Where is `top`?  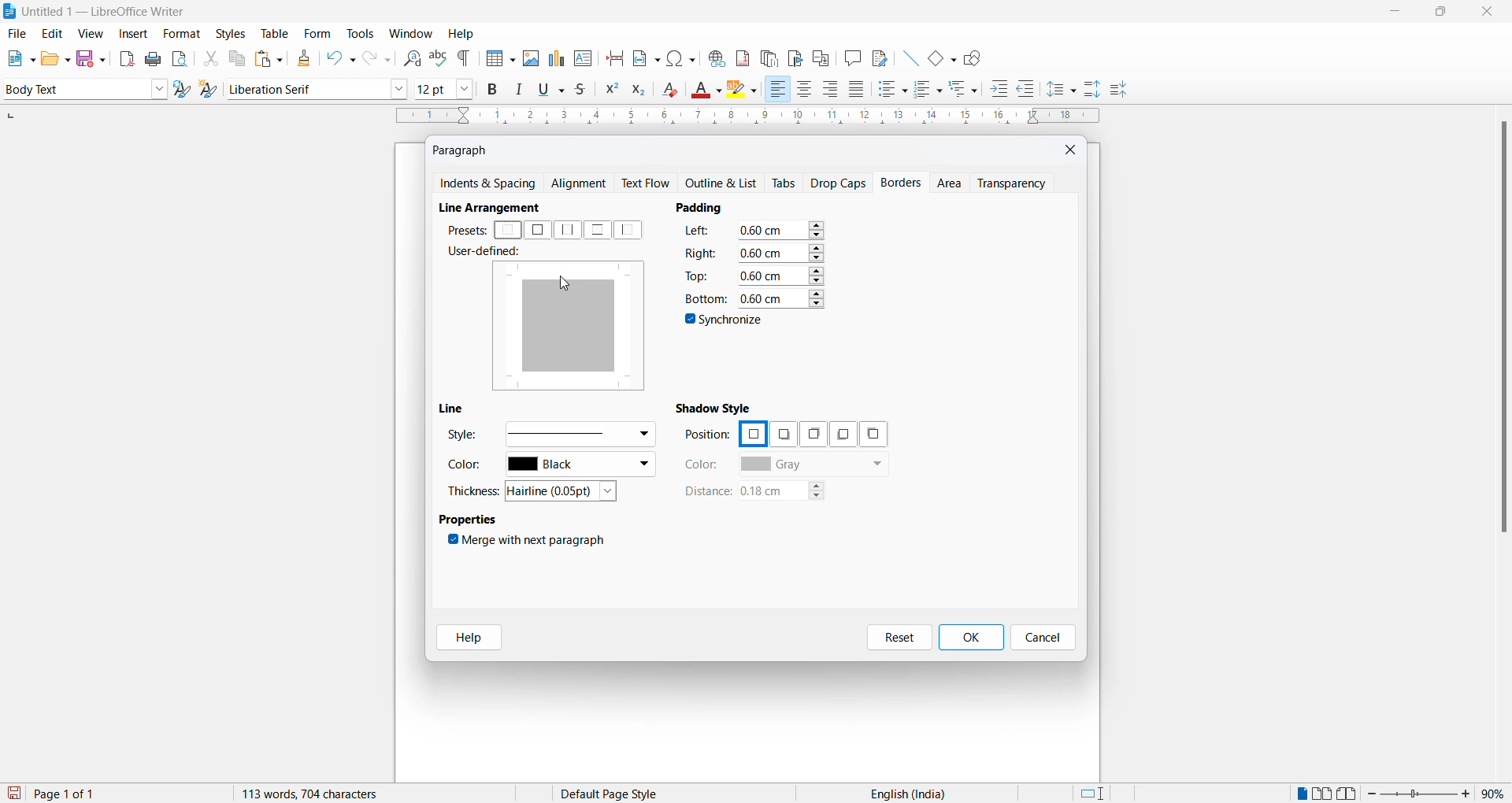
top is located at coordinates (699, 275).